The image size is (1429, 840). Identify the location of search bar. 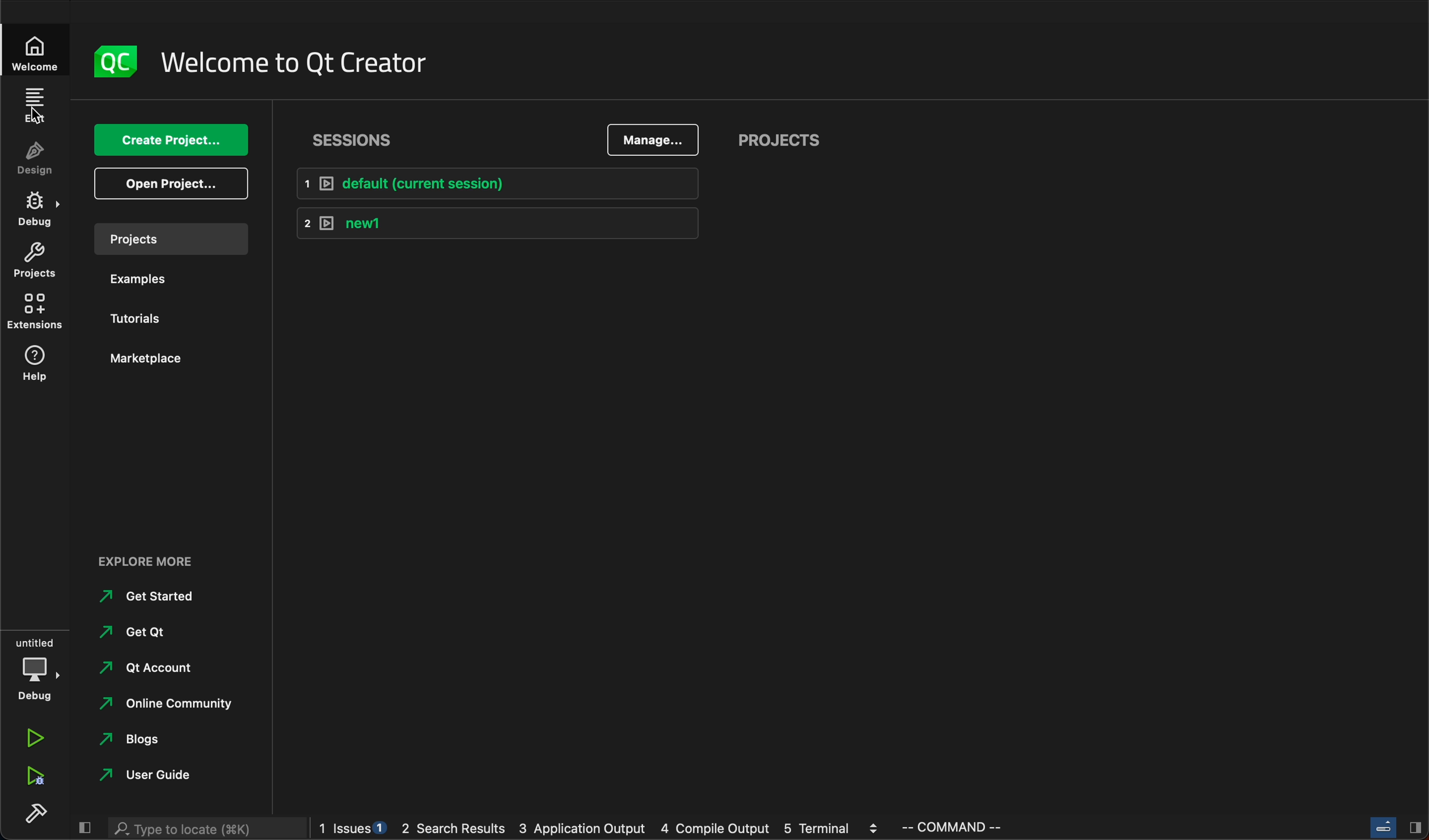
(206, 830).